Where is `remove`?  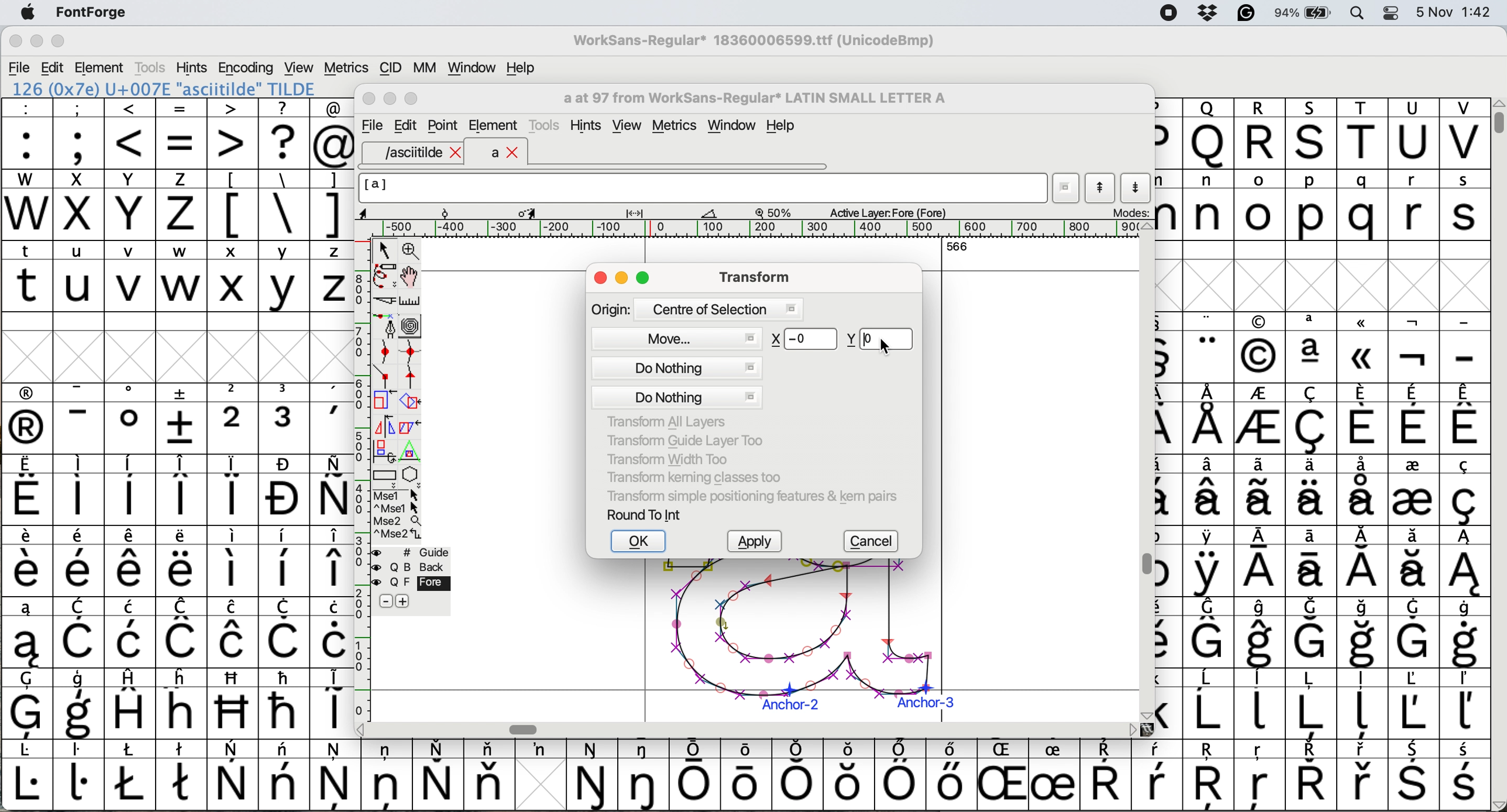
remove is located at coordinates (386, 602).